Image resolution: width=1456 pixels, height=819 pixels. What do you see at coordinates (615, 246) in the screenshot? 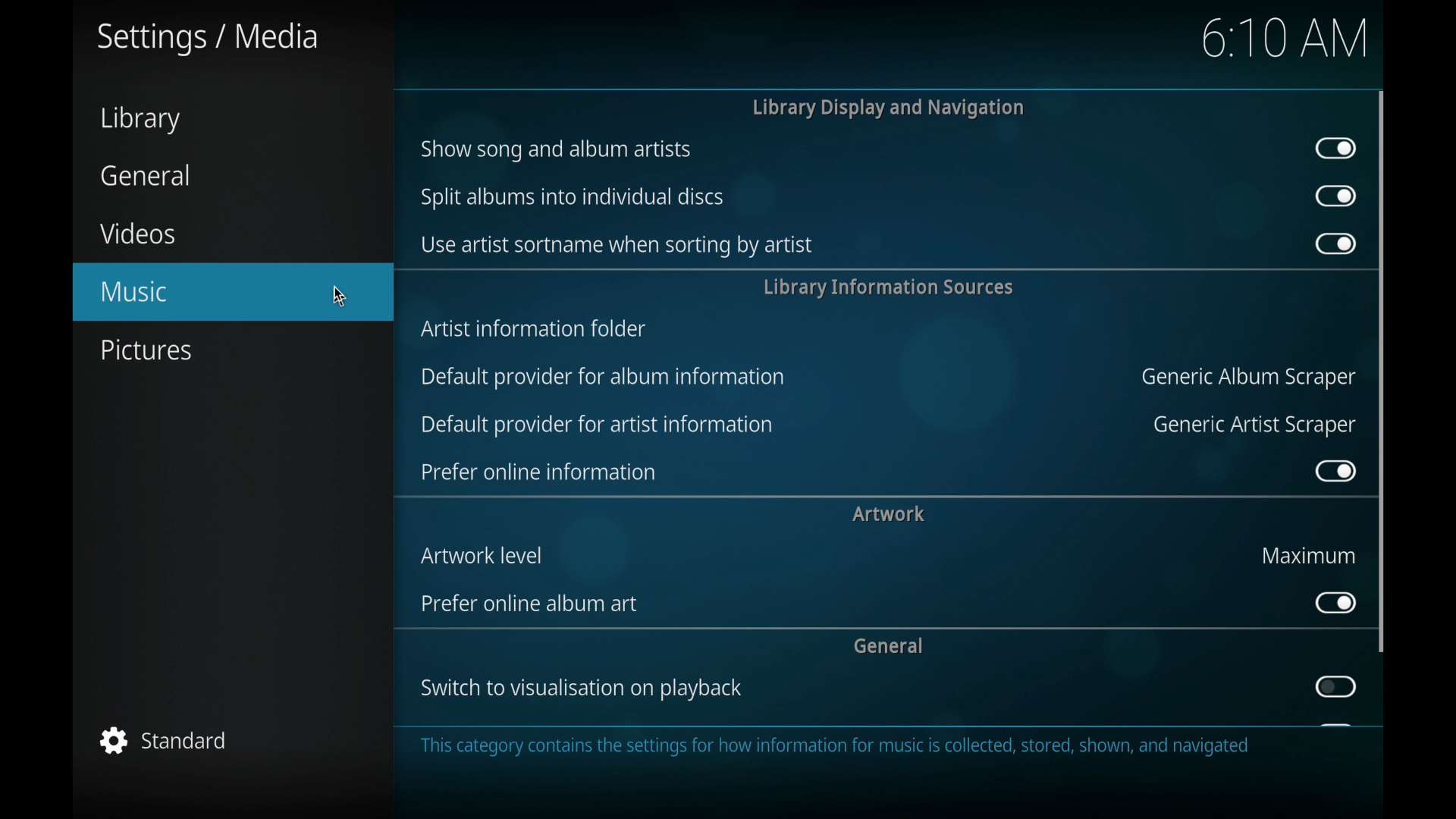
I see `use artist` at bounding box center [615, 246].